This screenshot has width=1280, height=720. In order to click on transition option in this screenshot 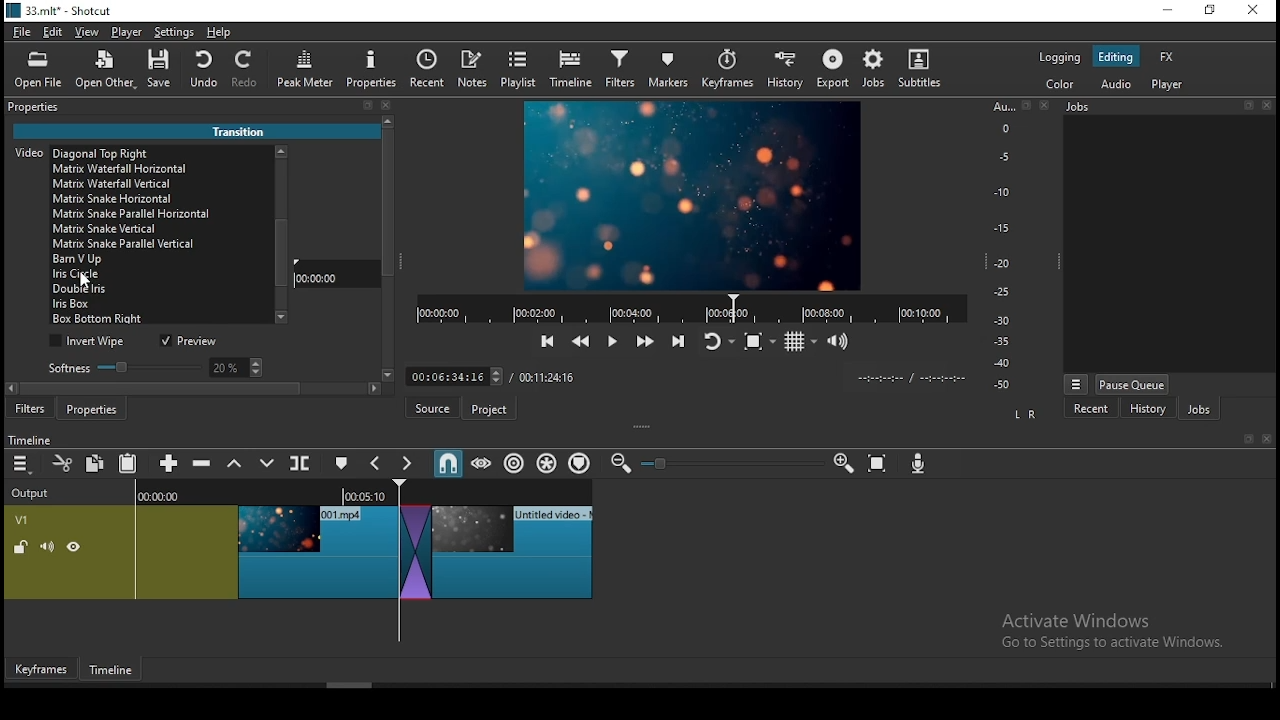, I will do `click(159, 182)`.